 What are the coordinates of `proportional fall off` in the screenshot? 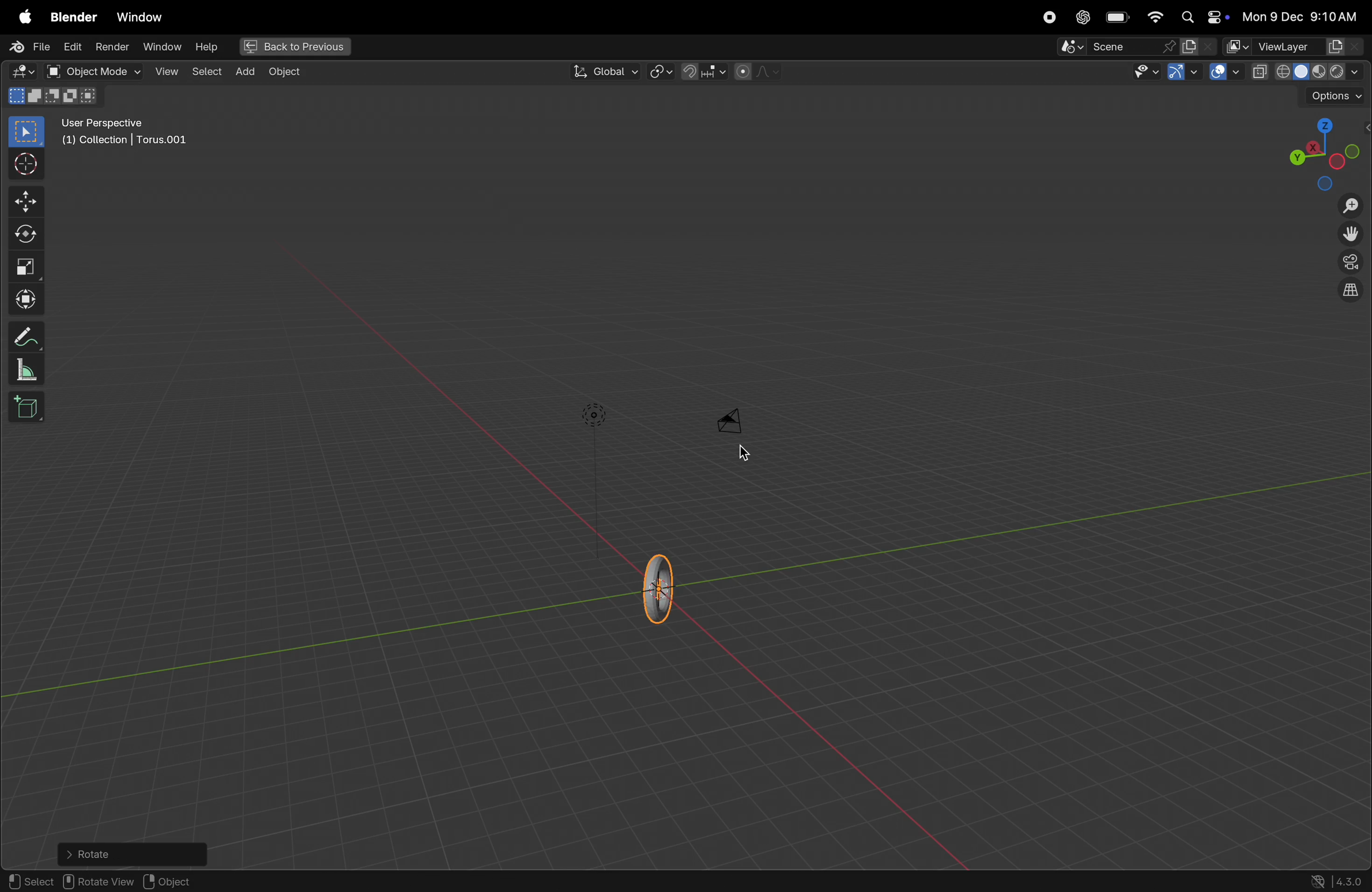 It's located at (756, 71).